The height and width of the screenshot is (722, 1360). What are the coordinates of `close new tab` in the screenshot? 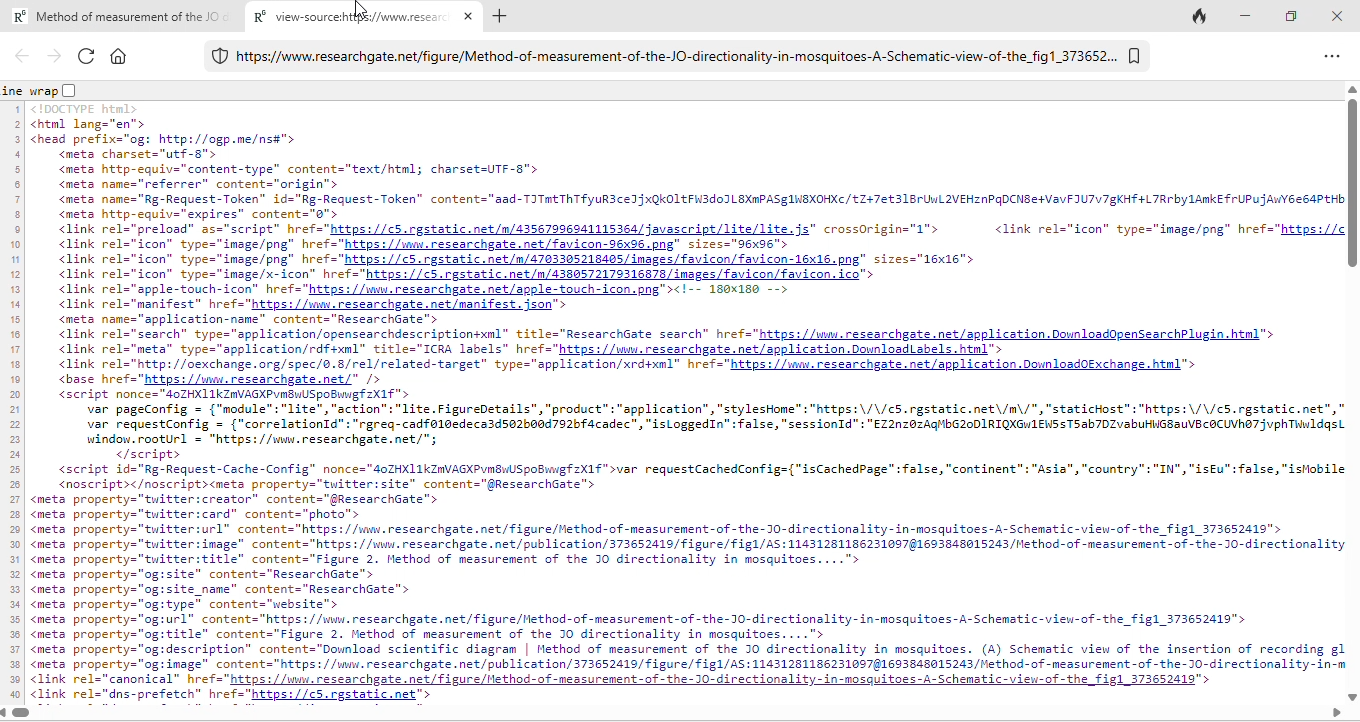 It's located at (468, 17).